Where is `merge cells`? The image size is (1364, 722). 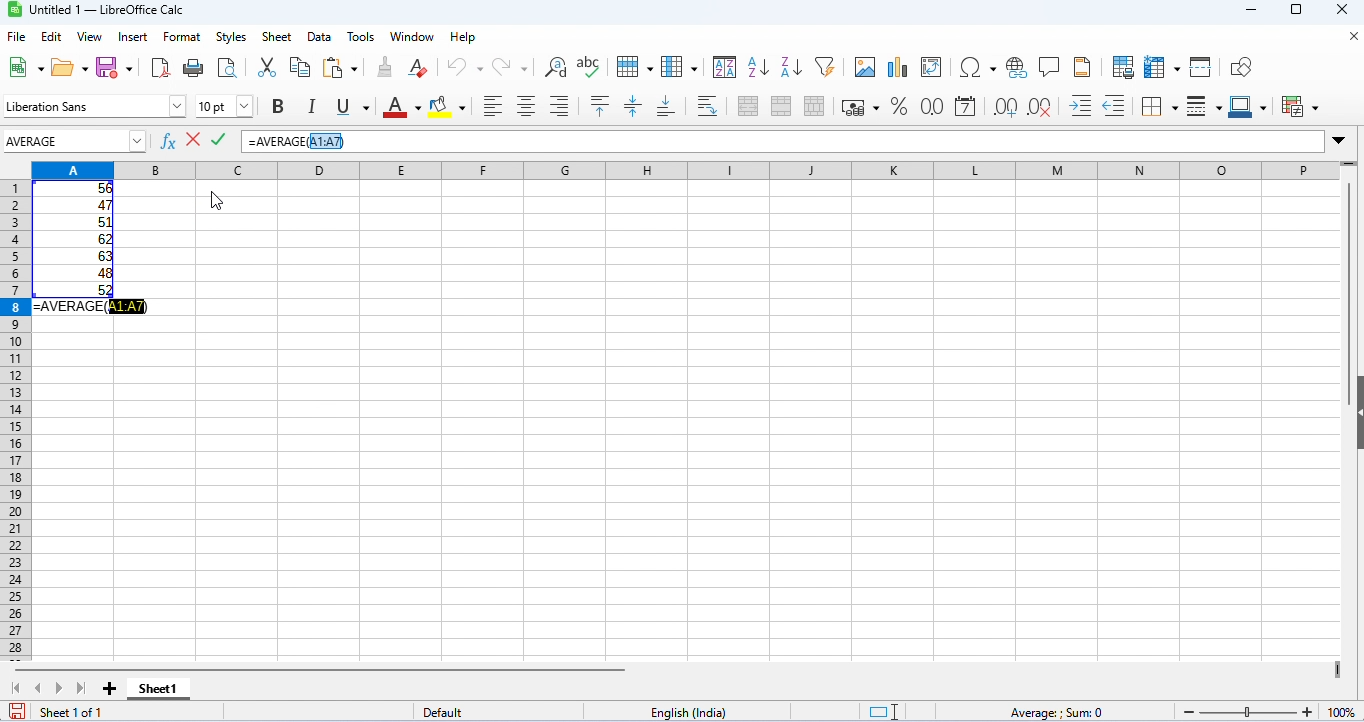 merge cells is located at coordinates (781, 106).